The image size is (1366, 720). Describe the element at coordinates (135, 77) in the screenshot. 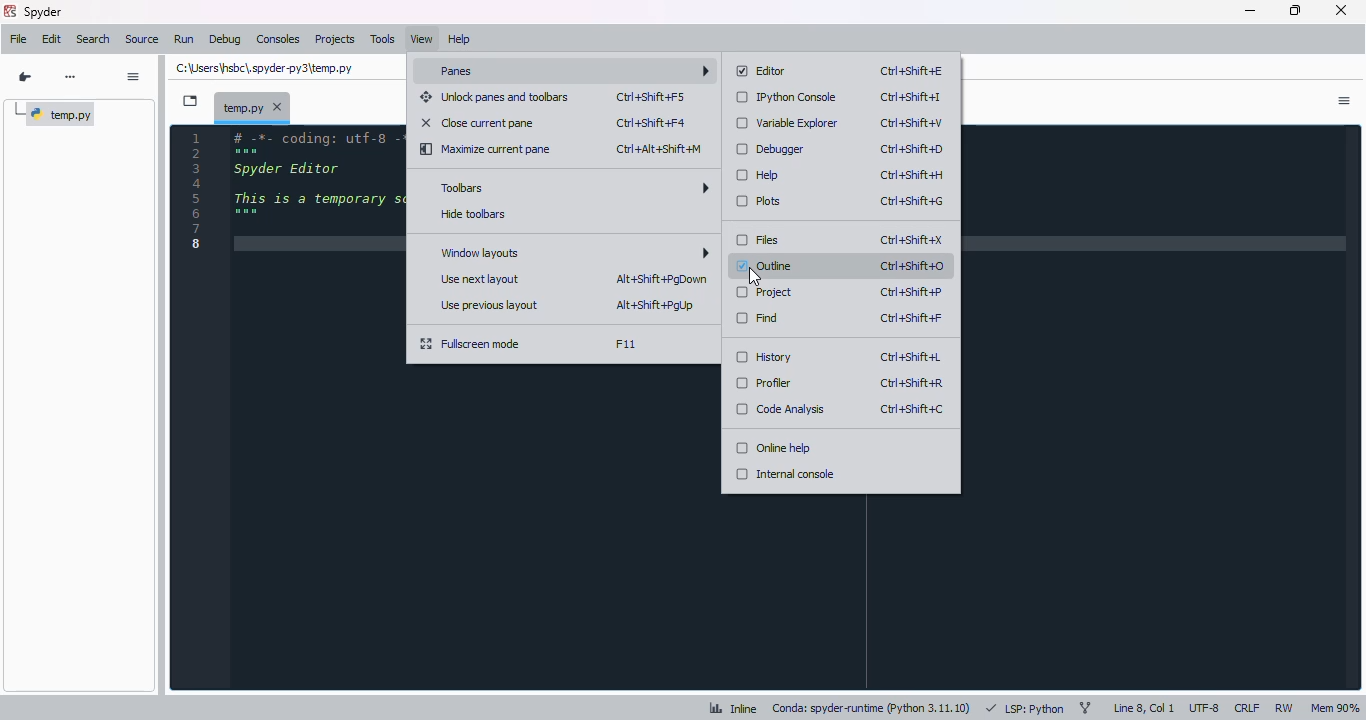

I see `options` at that location.